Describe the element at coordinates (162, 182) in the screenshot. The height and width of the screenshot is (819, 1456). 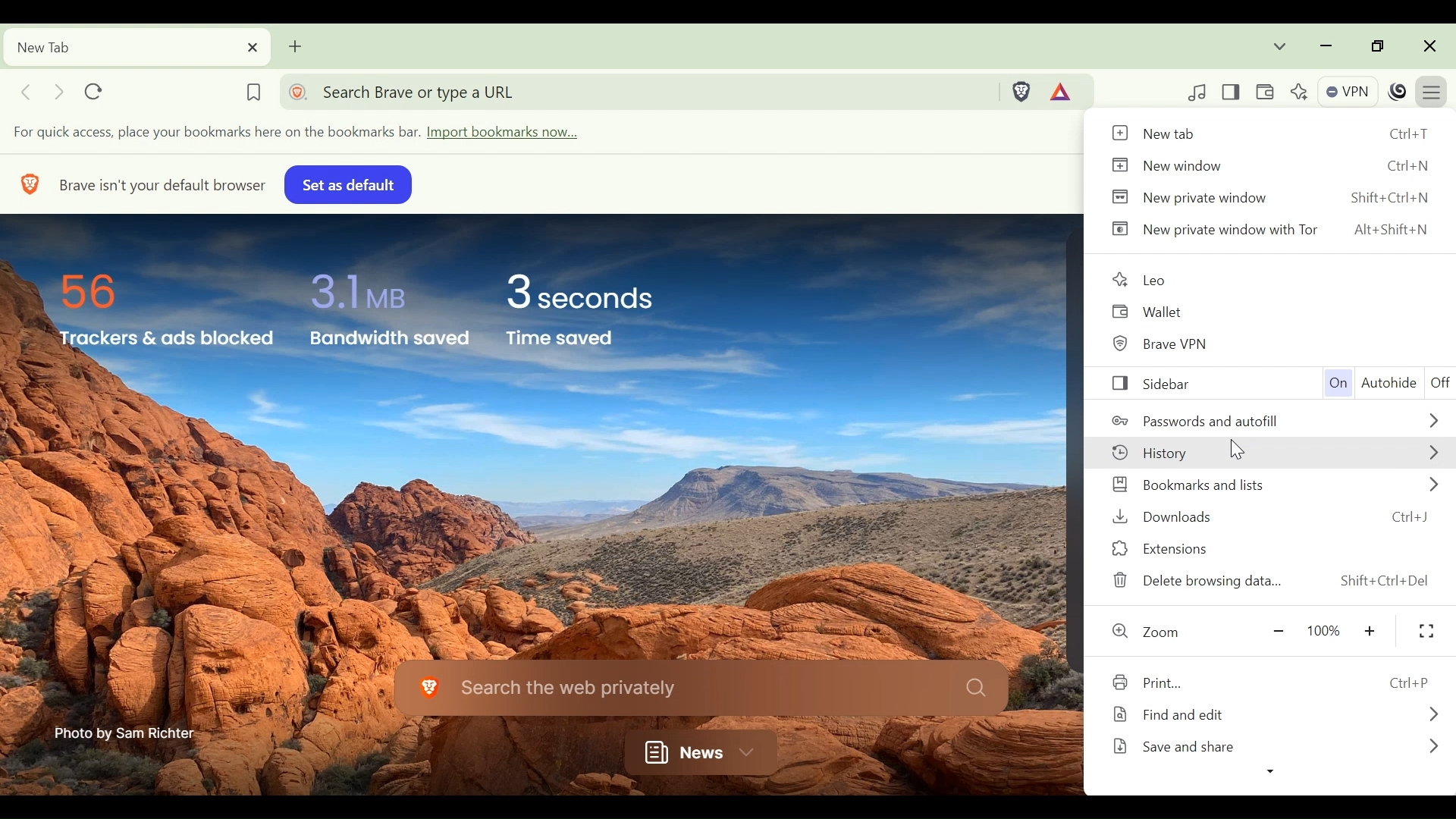
I see `Brave isn't your default browser` at that location.